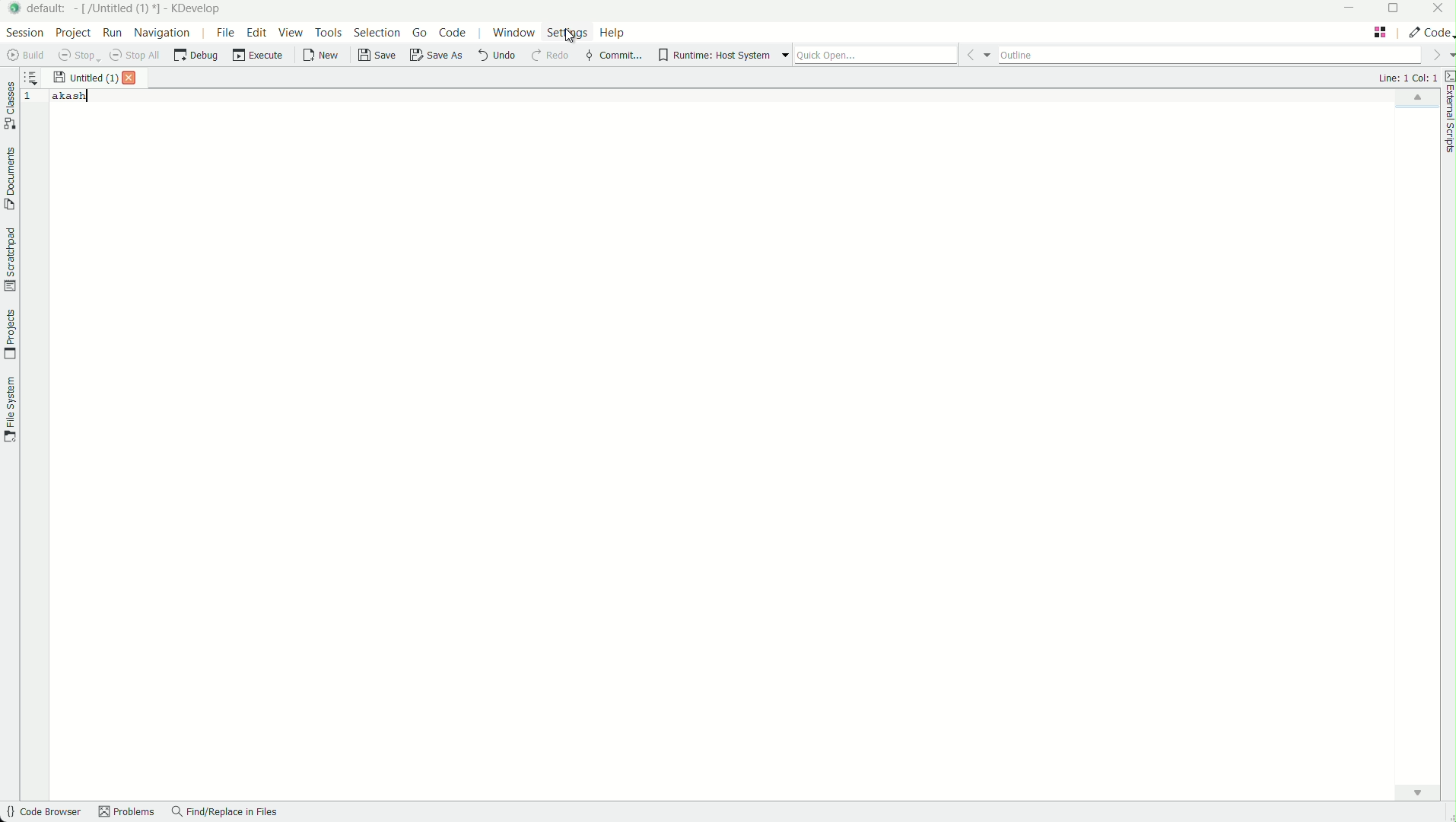 Image resolution: width=1456 pixels, height=822 pixels. What do you see at coordinates (437, 56) in the screenshot?
I see `save as` at bounding box center [437, 56].